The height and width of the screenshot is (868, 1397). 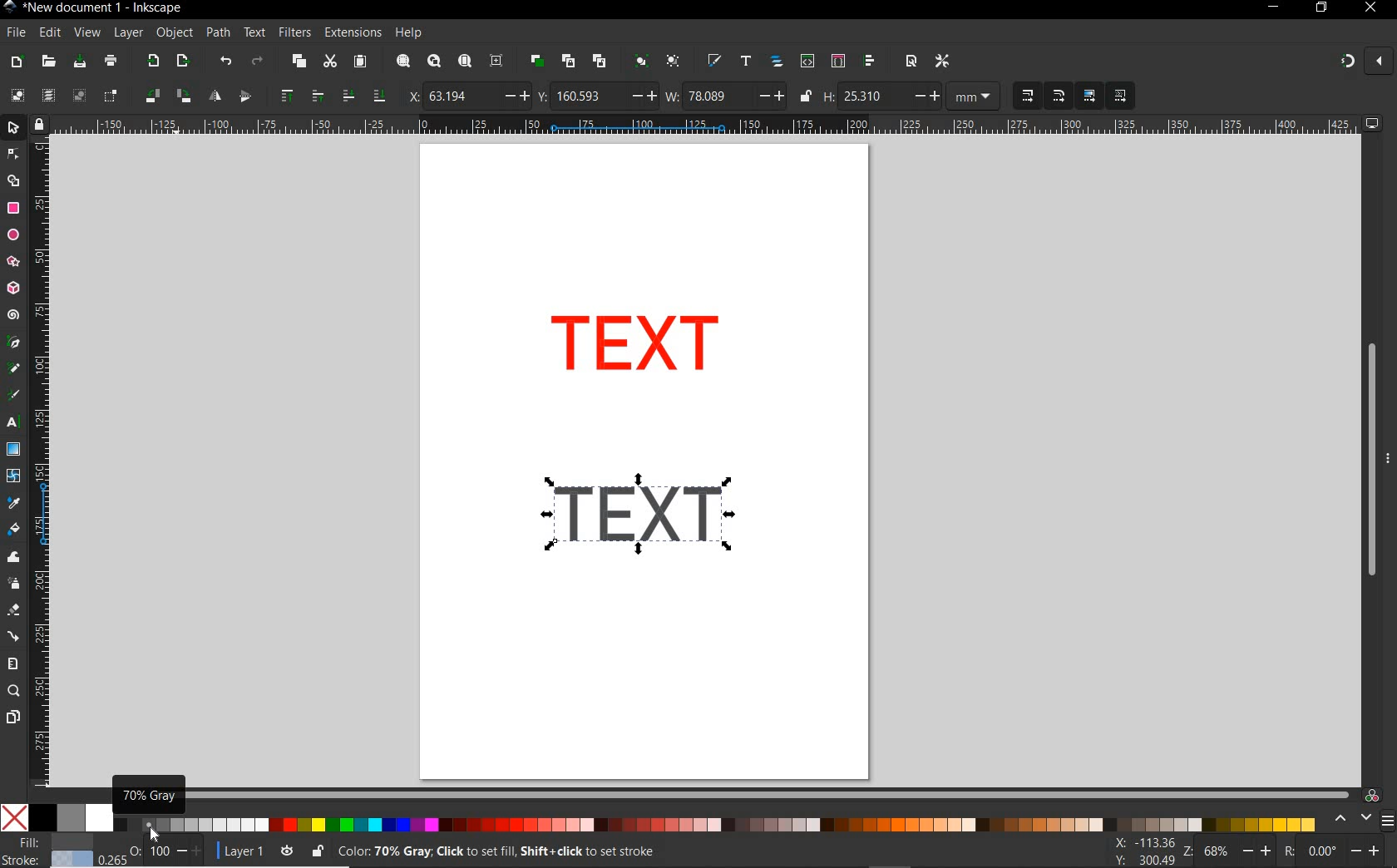 I want to click on gradient tool, so click(x=13, y=450).